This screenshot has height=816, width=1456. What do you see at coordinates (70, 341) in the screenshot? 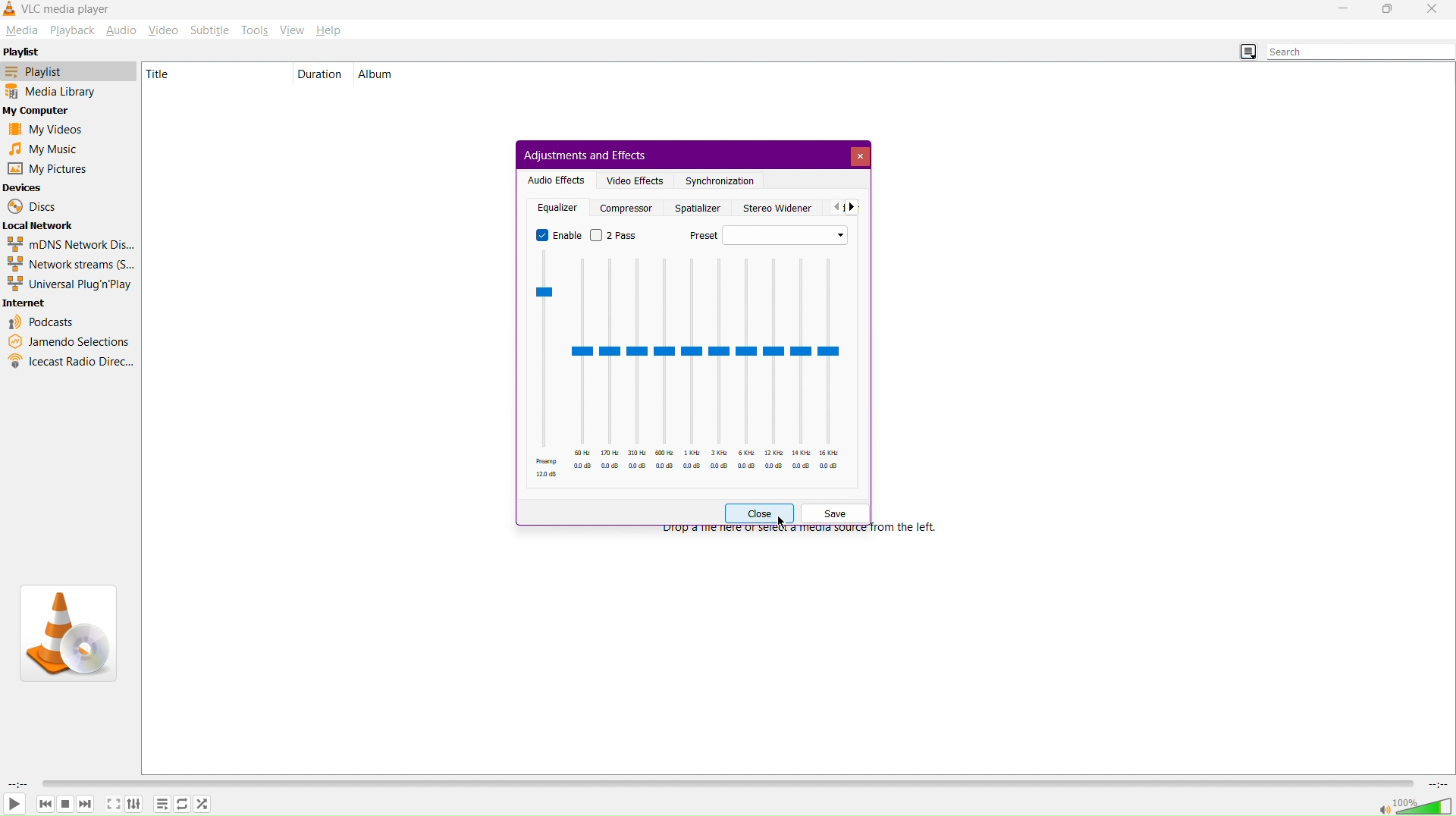
I see `Jamendo Selections` at bounding box center [70, 341].